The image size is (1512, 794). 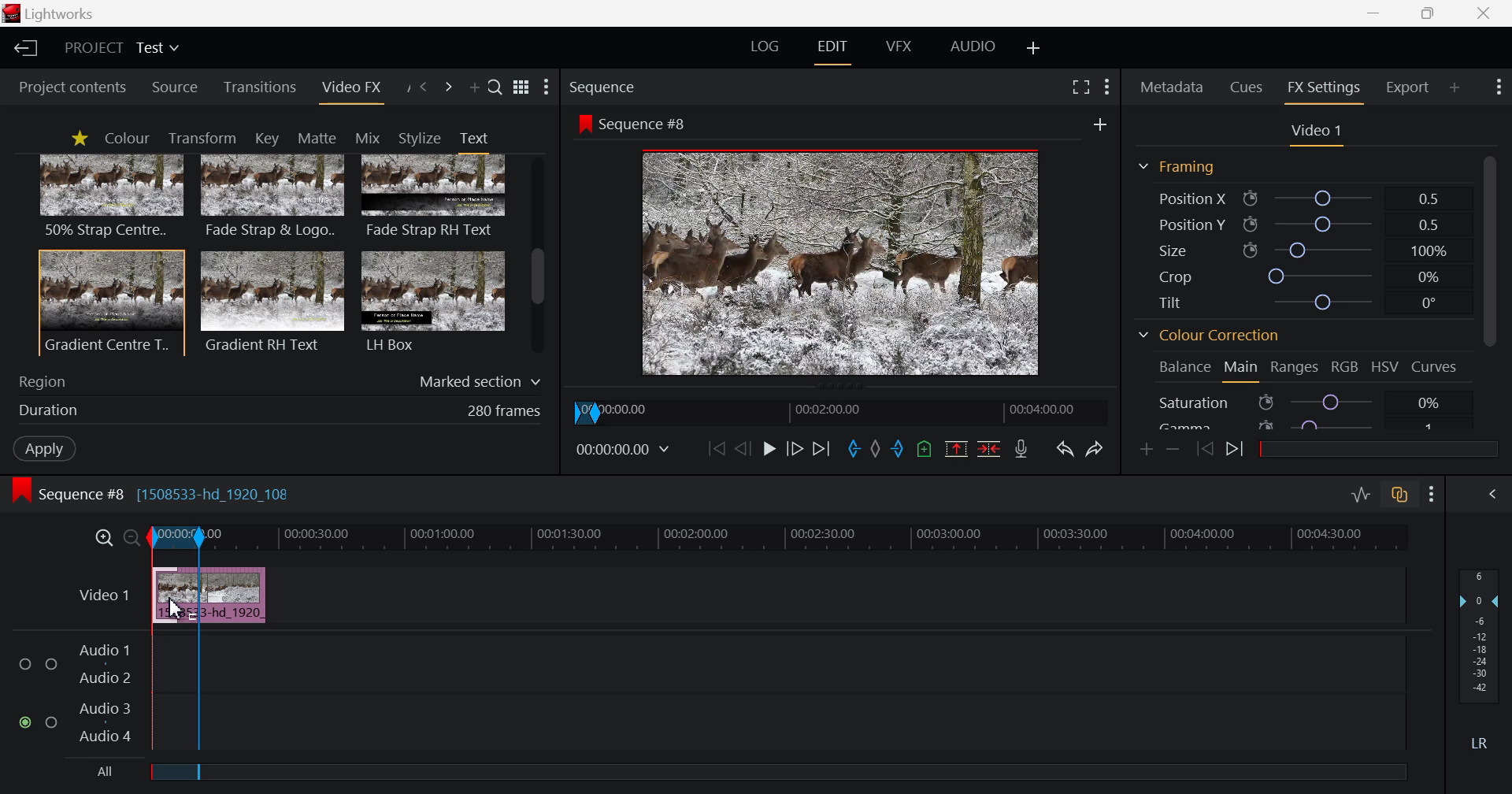 What do you see at coordinates (767, 49) in the screenshot?
I see `LOG Layout` at bounding box center [767, 49].